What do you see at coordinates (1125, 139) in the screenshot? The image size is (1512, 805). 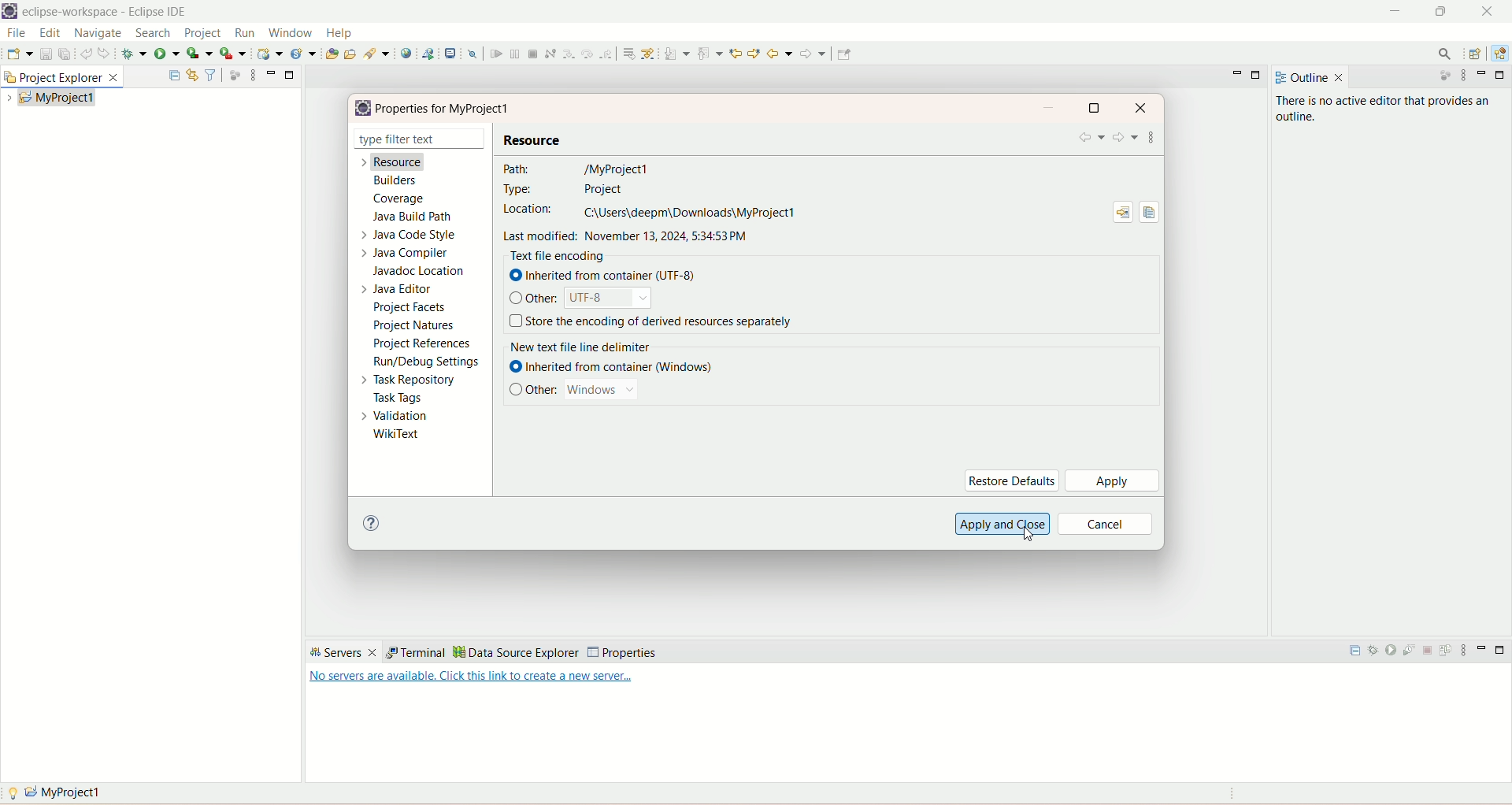 I see `forward` at bounding box center [1125, 139].